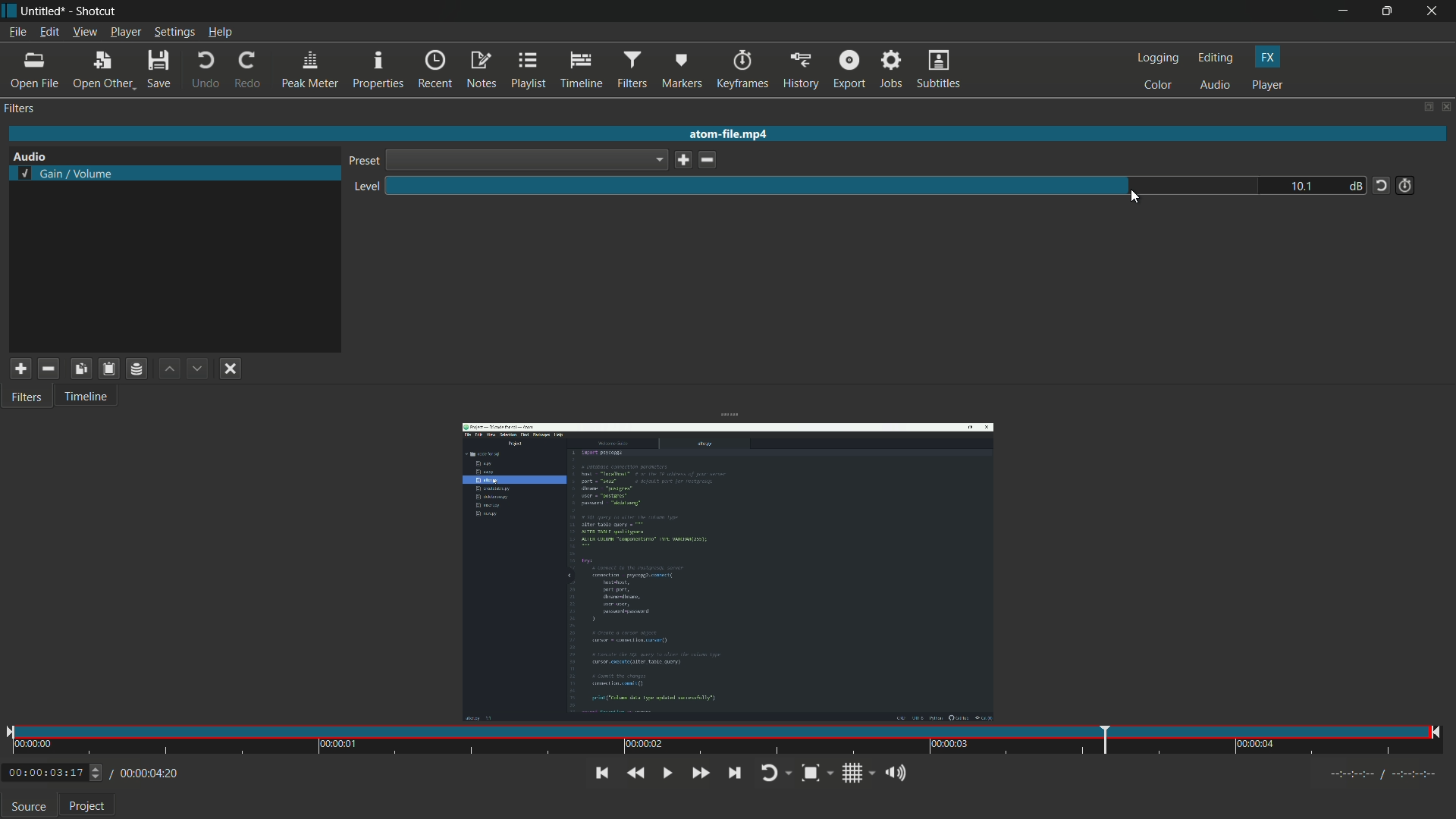 Image resolution: width=1456 pixels, height=819 pixels. I want to click on copy checked filters, so click(81, 369).